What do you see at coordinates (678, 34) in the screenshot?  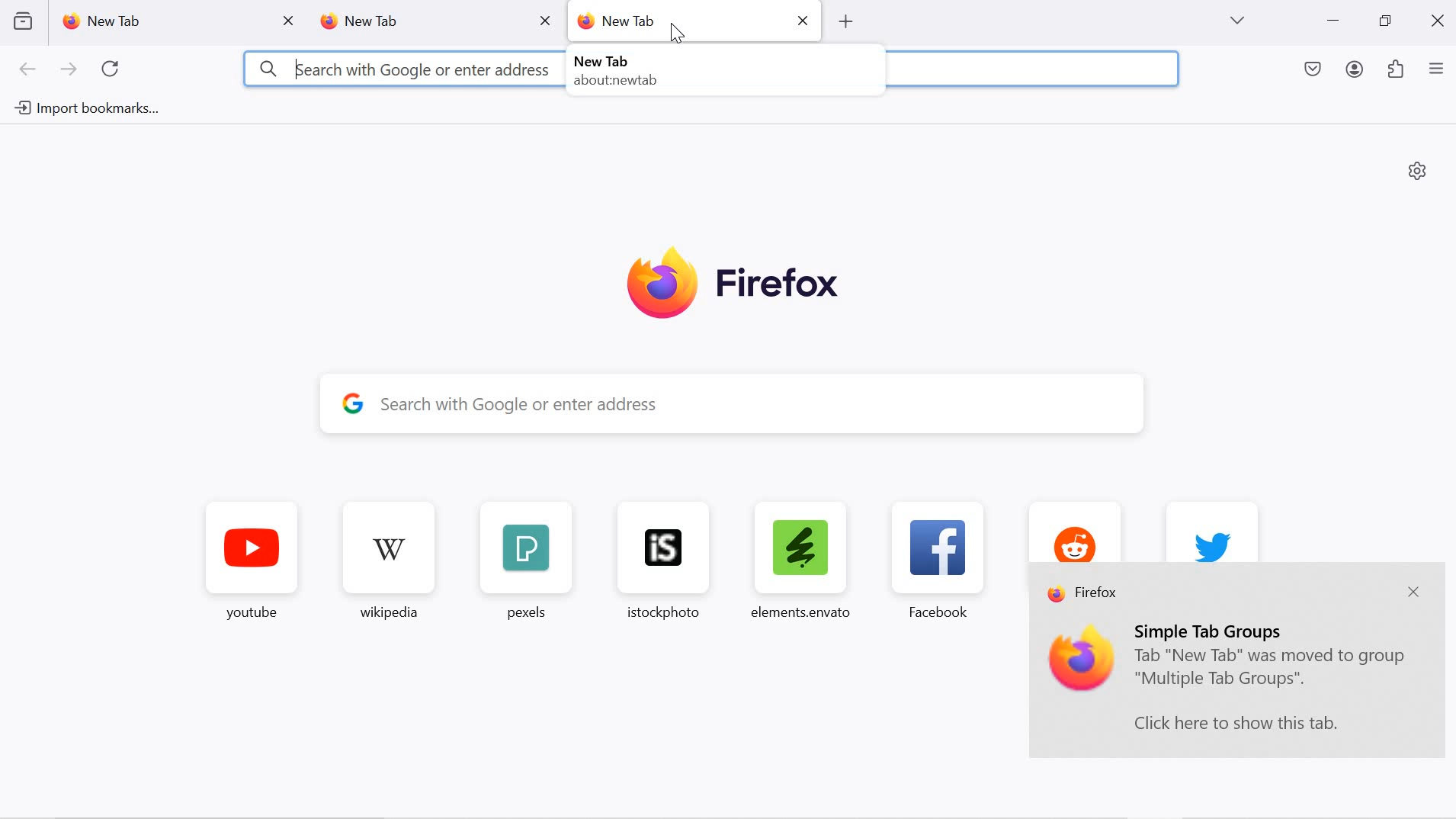 I see `cursor` at bounding box center [678, 34].